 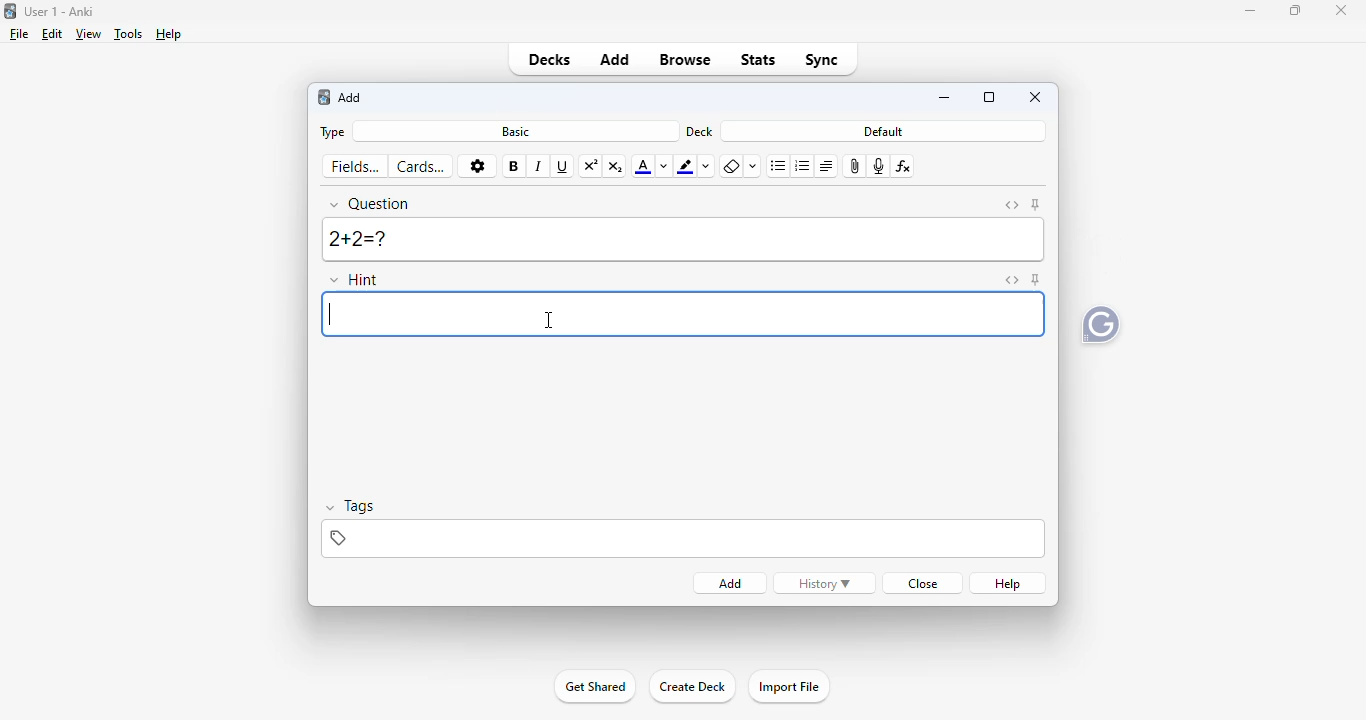 I want to click on attach pictures/audio/video, so click(x=855, y=166).